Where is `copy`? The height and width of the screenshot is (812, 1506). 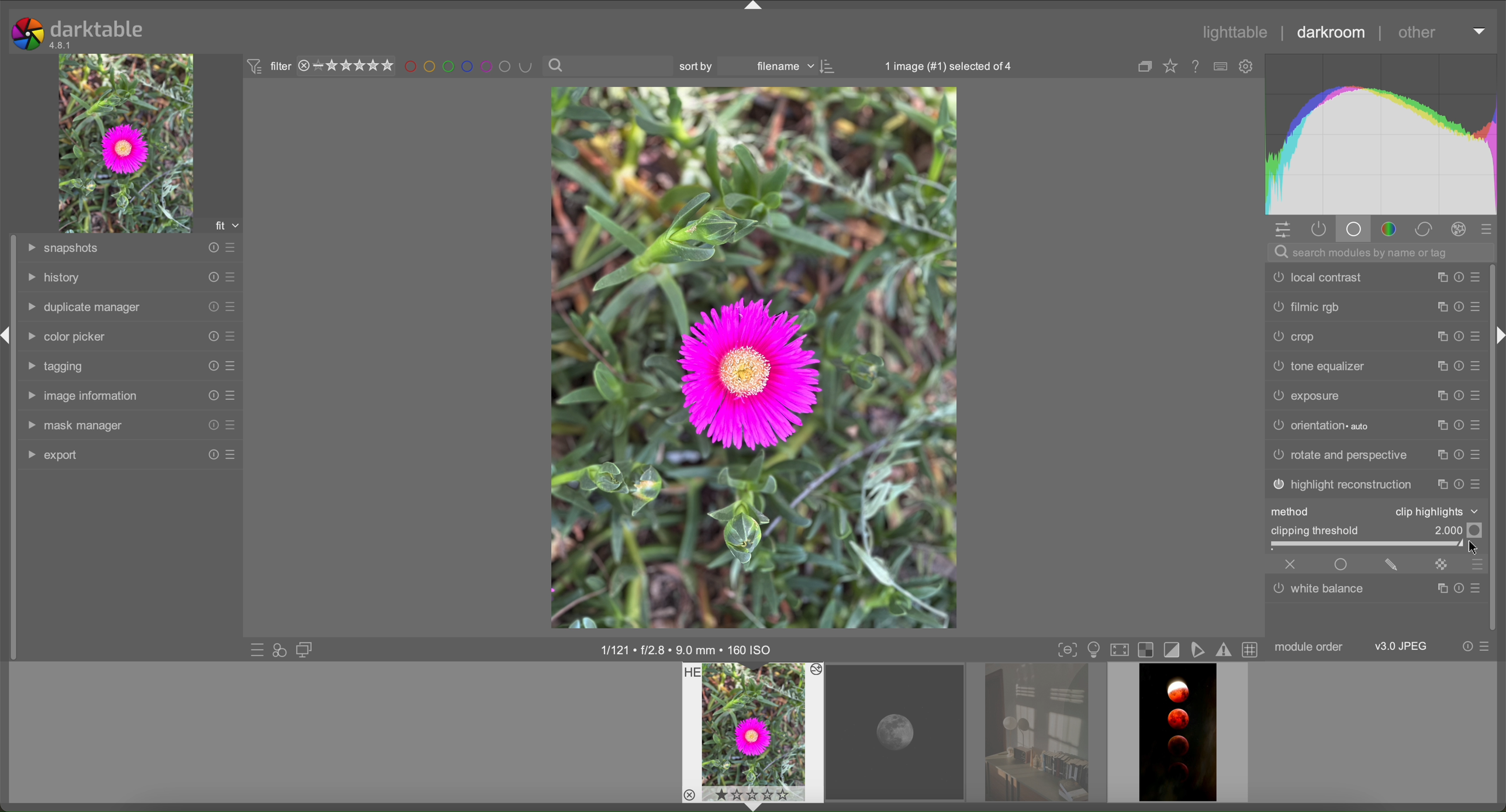 copy is located at coordinates (1145, 67).